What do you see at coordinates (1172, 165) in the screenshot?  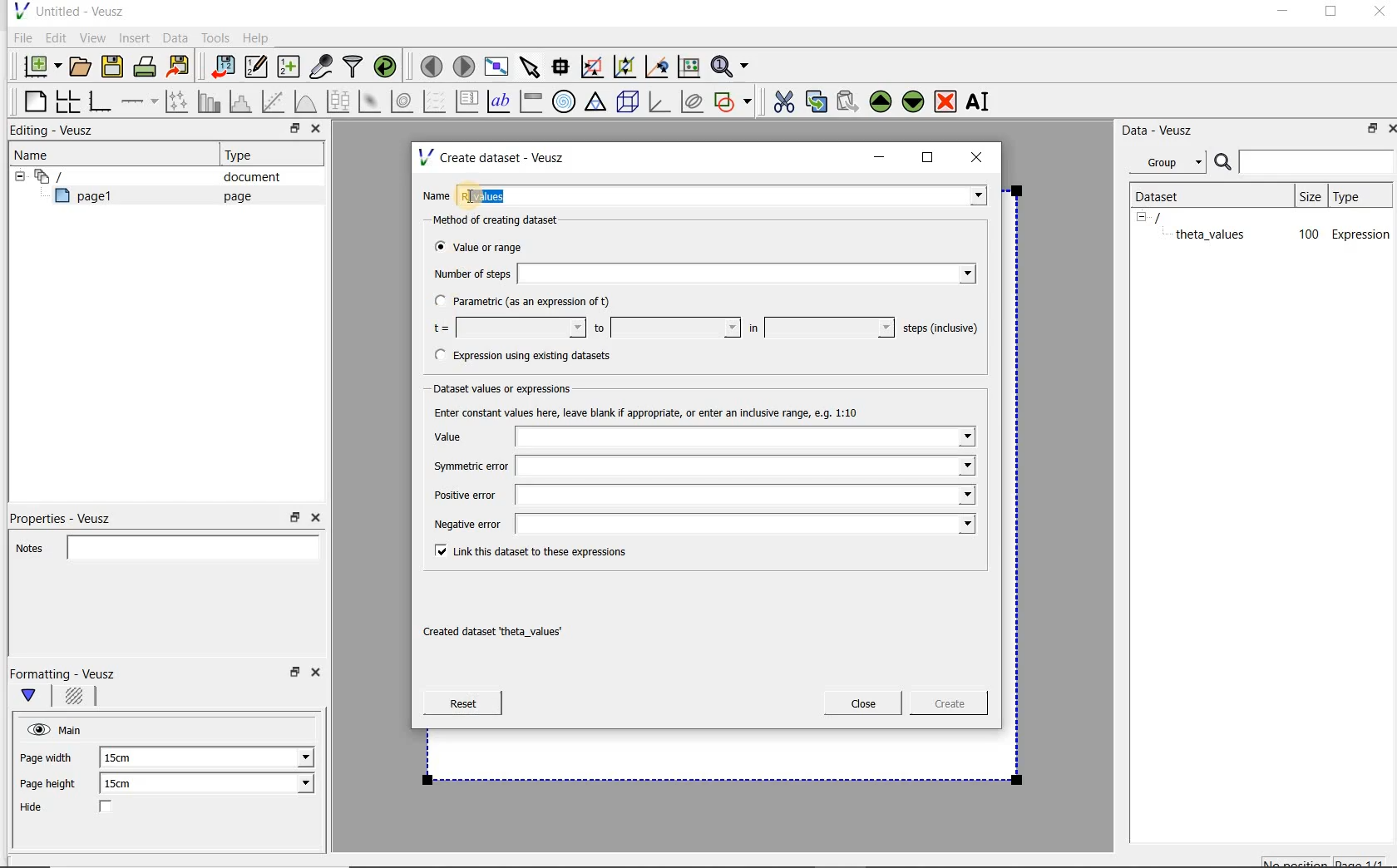 I see `Group` at bounding box center [1172, 165].